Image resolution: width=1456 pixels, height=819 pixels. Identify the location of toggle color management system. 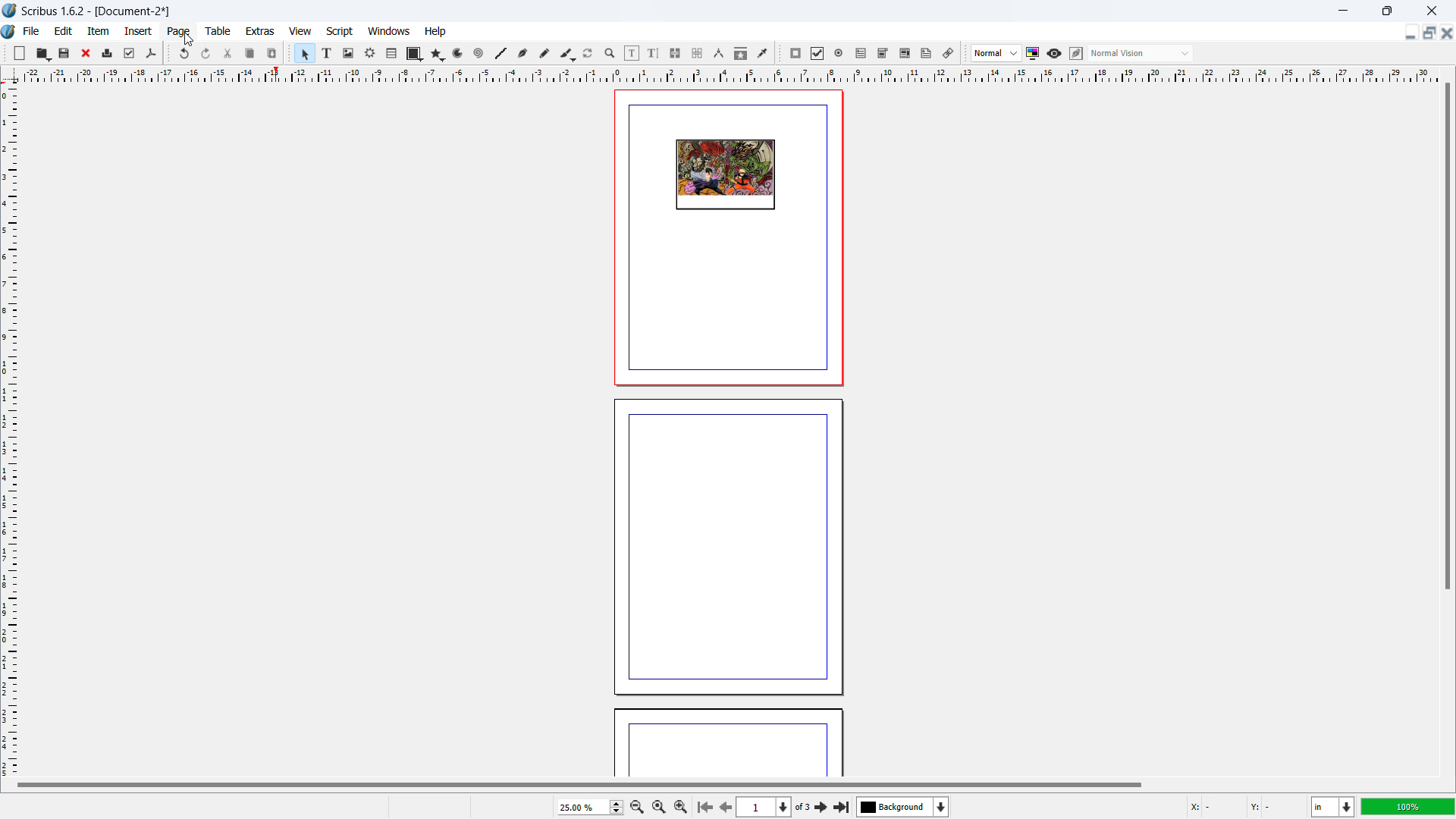
(1034, 53).